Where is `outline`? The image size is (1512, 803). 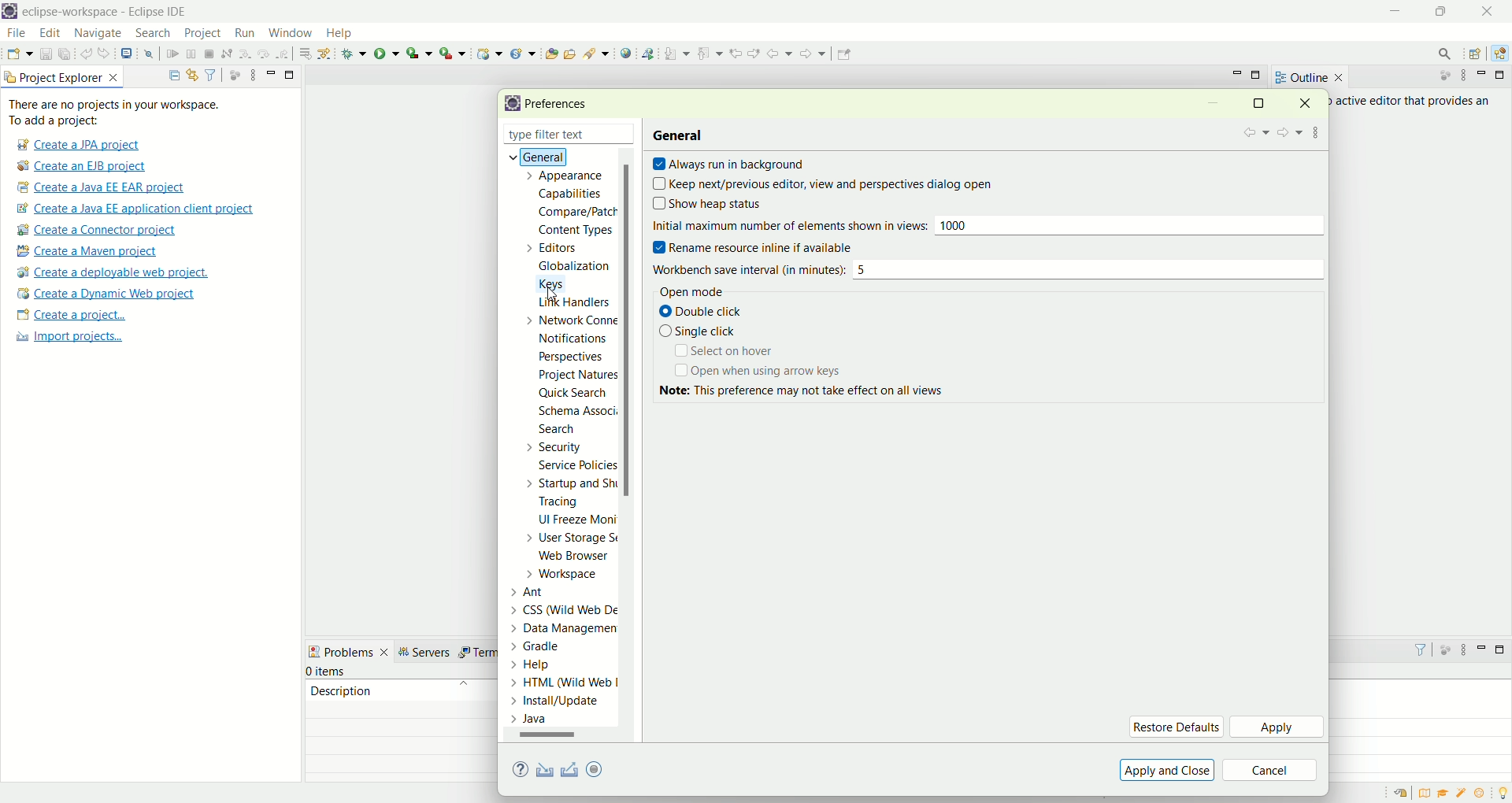
outline is located at coordinates (1309, 77).